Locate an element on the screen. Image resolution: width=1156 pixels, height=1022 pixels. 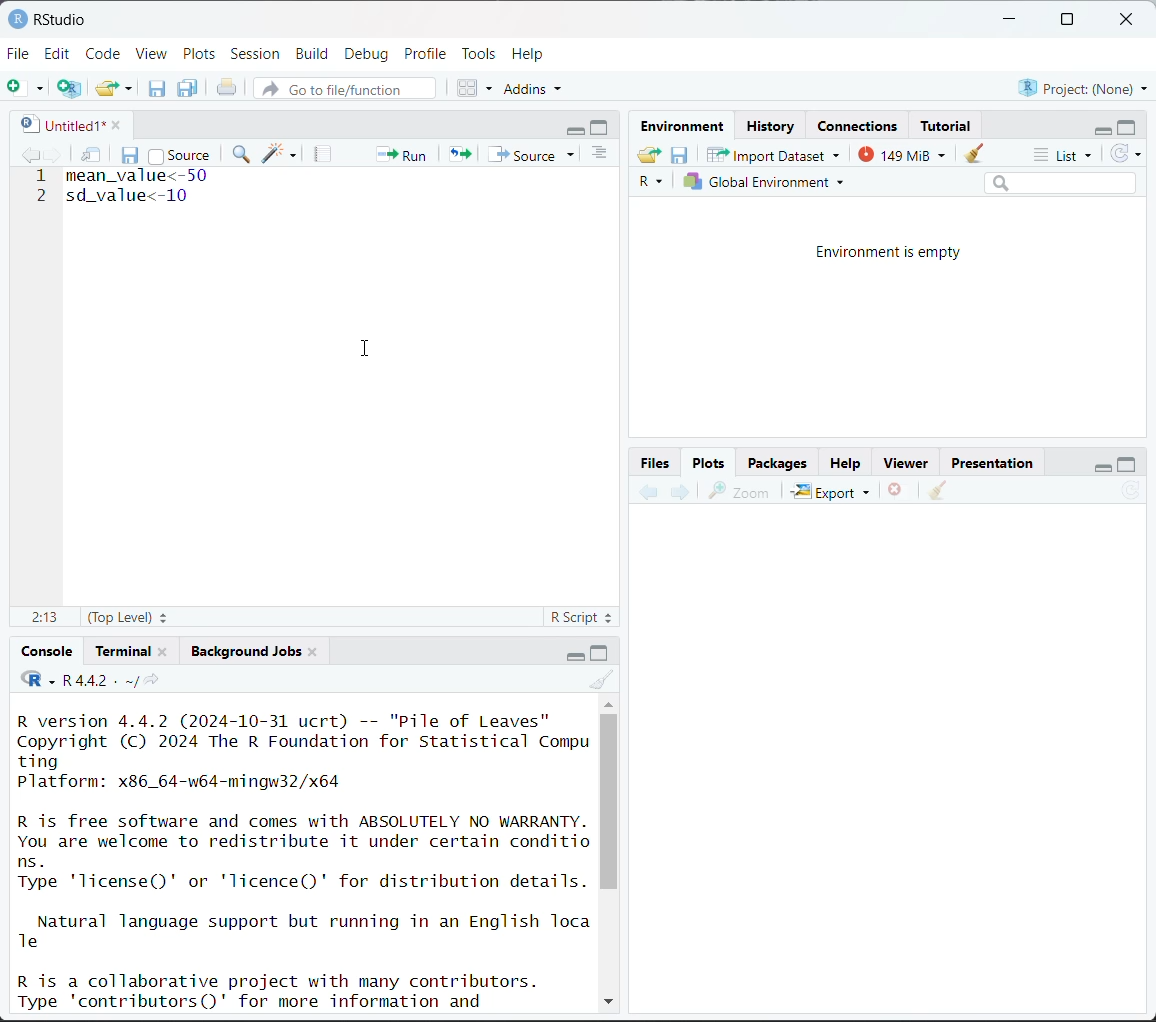
close is located at coordinates (1130, 20).